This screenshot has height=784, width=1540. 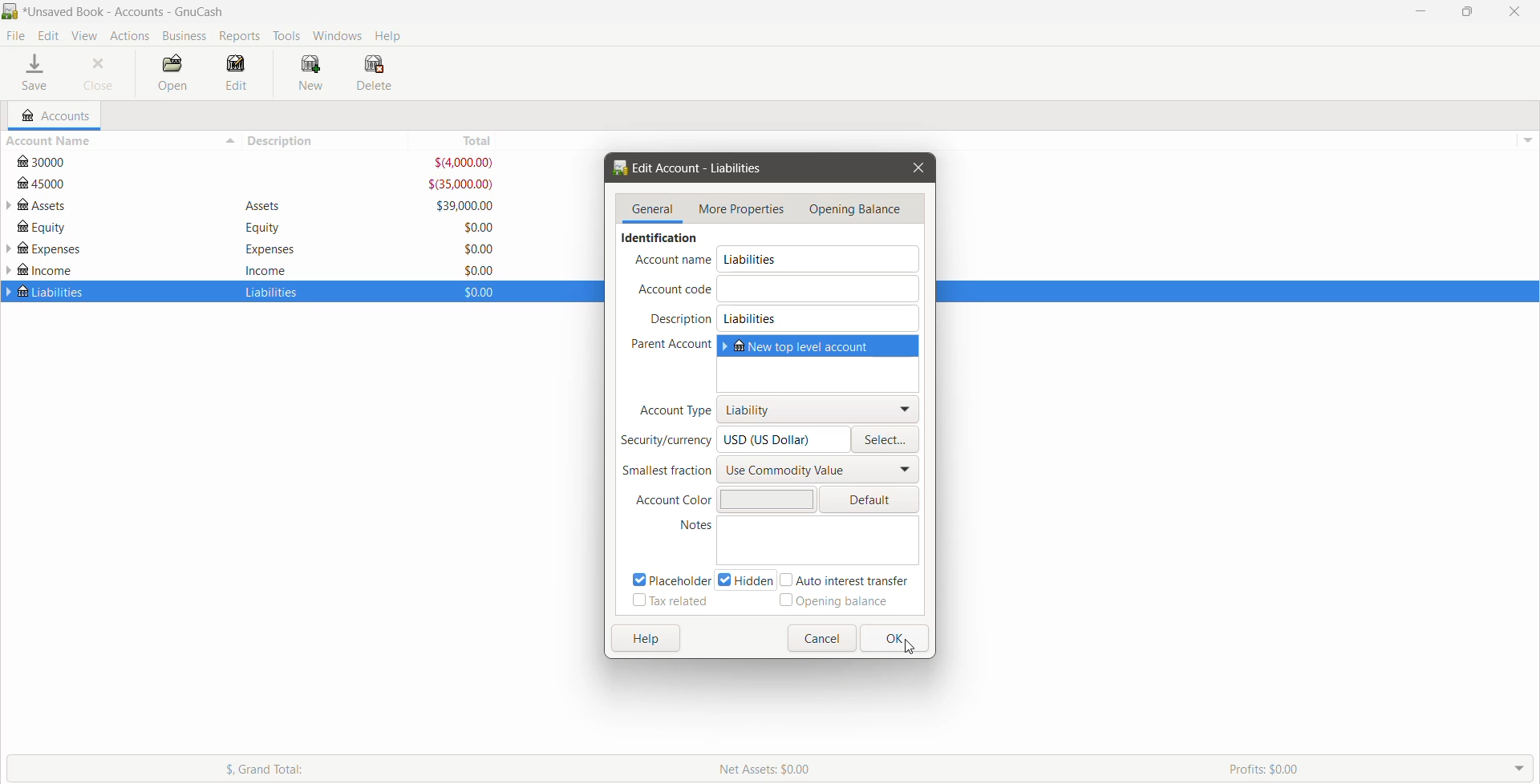 What do you see at coordinates (684, 526) in the screenshot?
I see `Notes` at bounding box center [684, 526].